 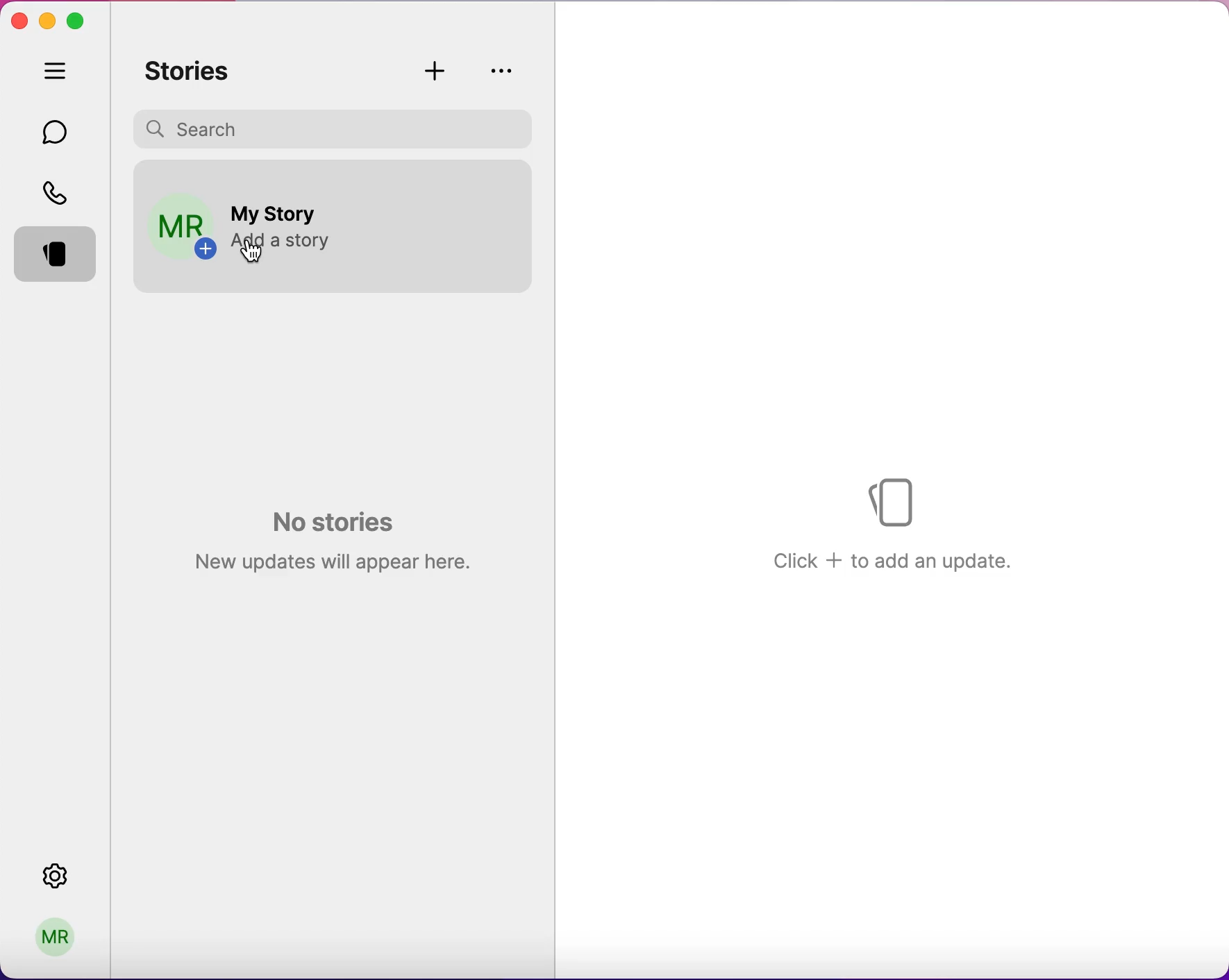 I want to click on add, so click(x=438, y=71).